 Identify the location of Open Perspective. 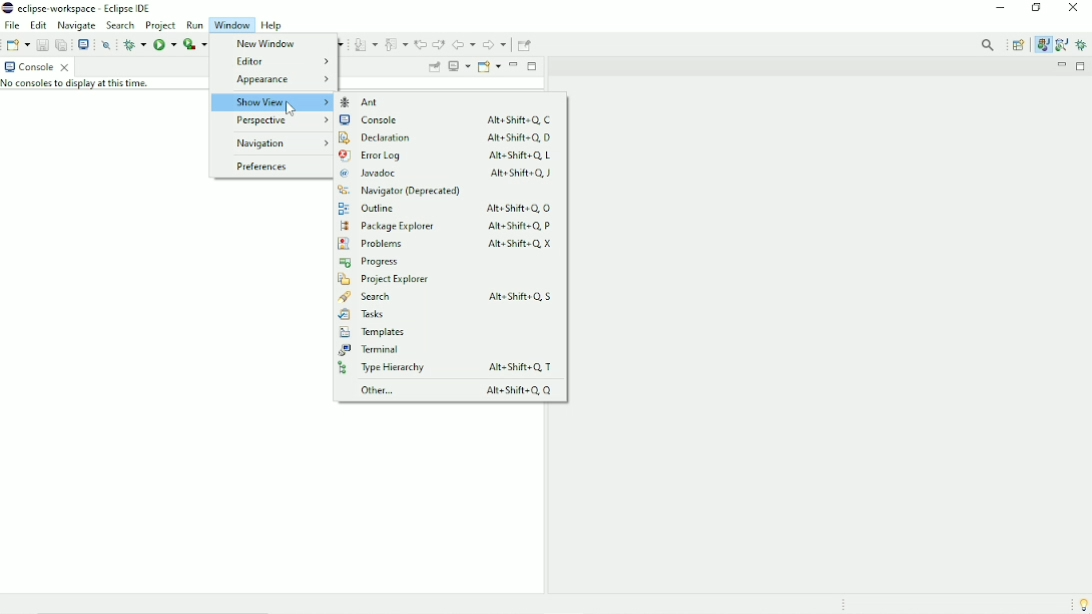
(1018, 45).